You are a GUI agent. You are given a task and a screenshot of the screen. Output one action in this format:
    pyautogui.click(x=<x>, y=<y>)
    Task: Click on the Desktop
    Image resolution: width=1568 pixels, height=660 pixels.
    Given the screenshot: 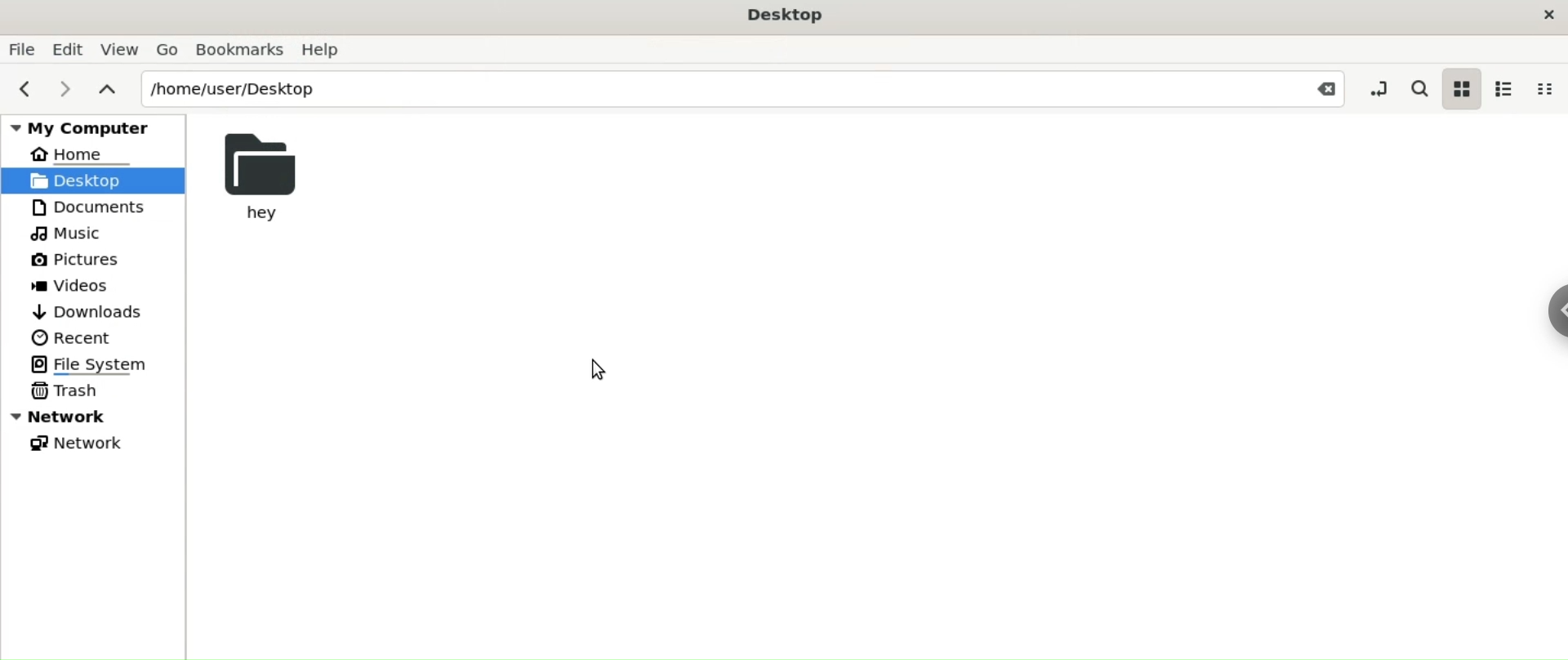 What is the action you would take?
    pyautogui.click(x=784, y=16)
    